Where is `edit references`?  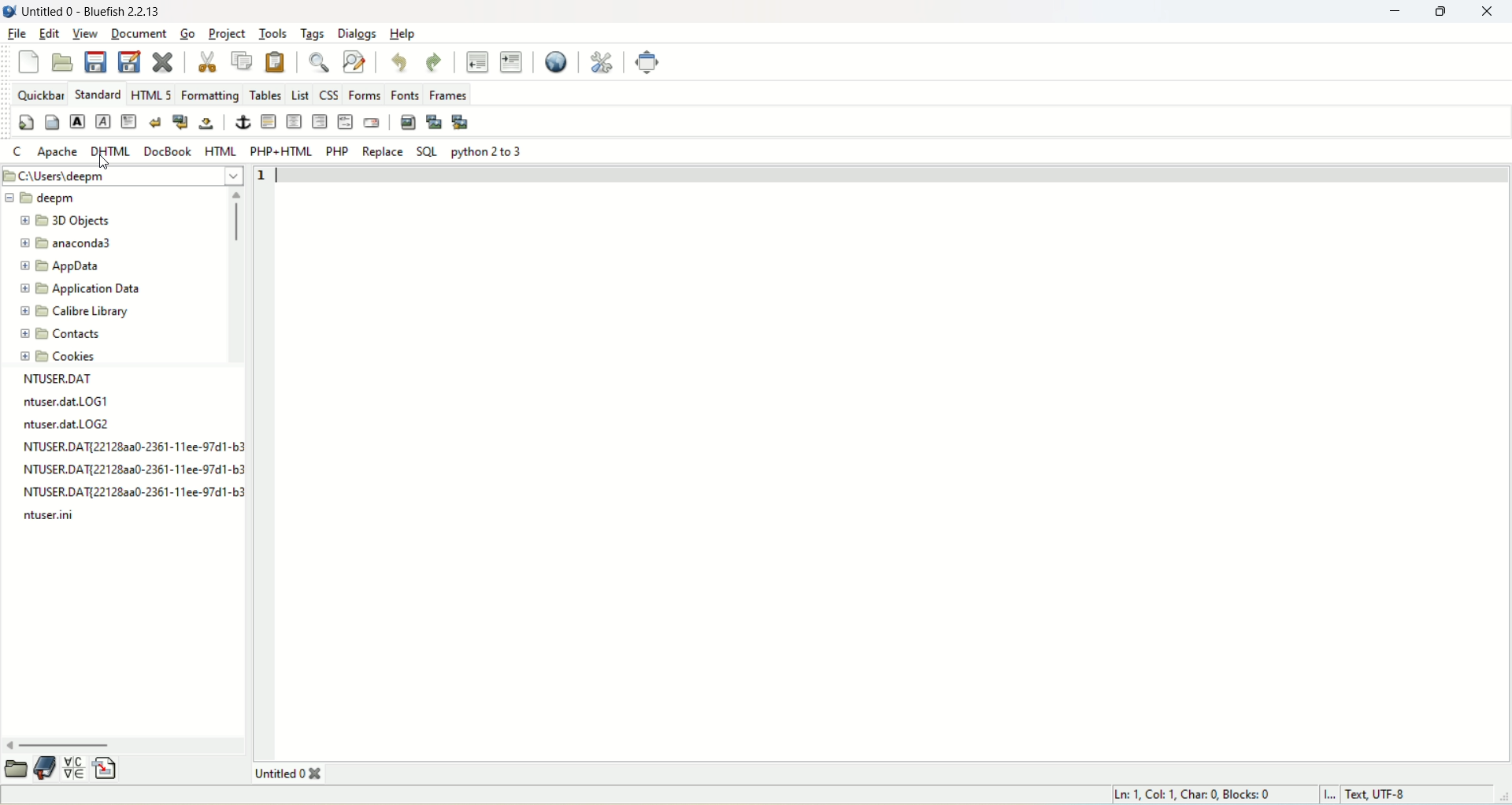 edit references is located at coordinates (605, 63).